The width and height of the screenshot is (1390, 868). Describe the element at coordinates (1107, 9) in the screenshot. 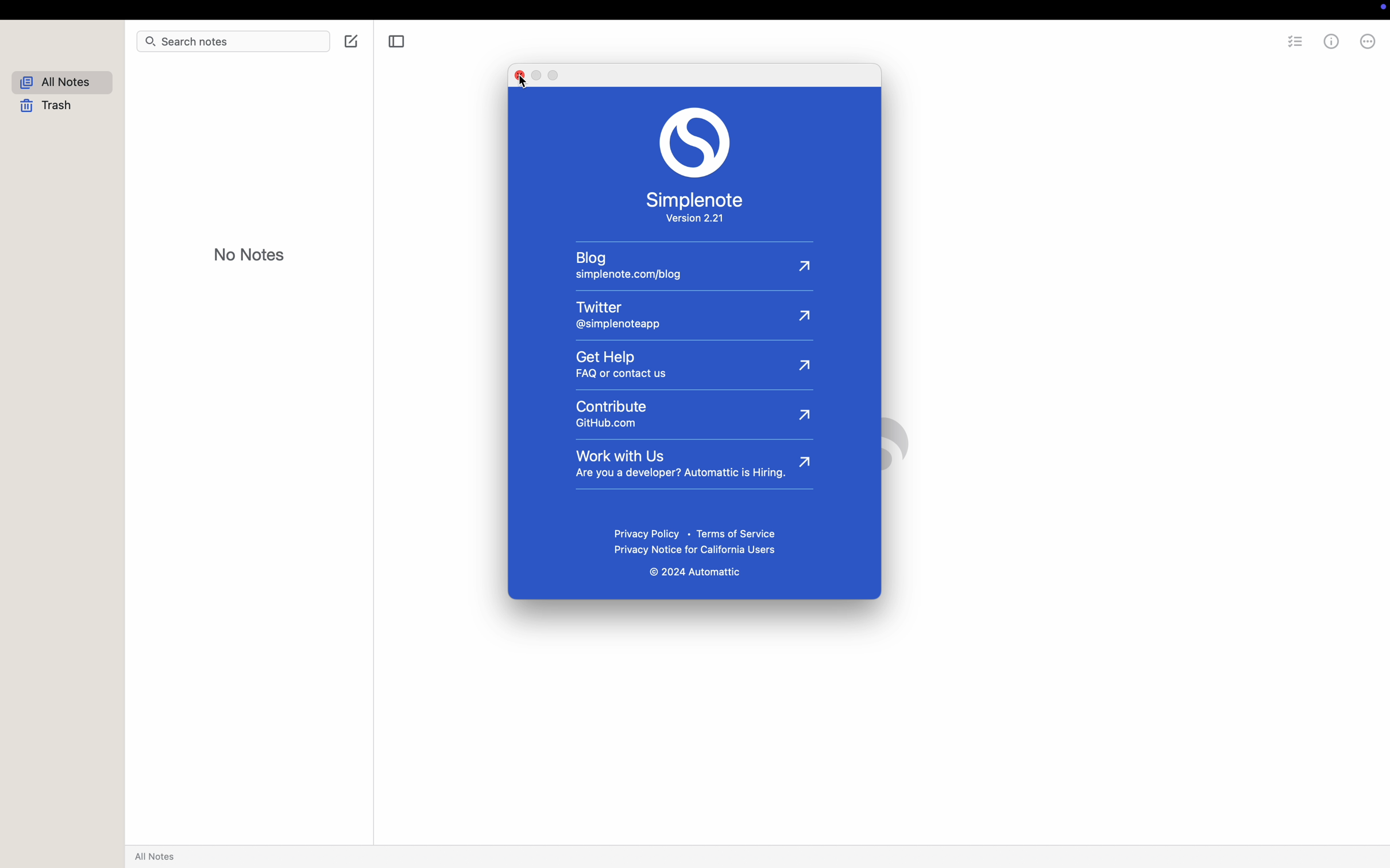

I see `Airdrop` at that location.